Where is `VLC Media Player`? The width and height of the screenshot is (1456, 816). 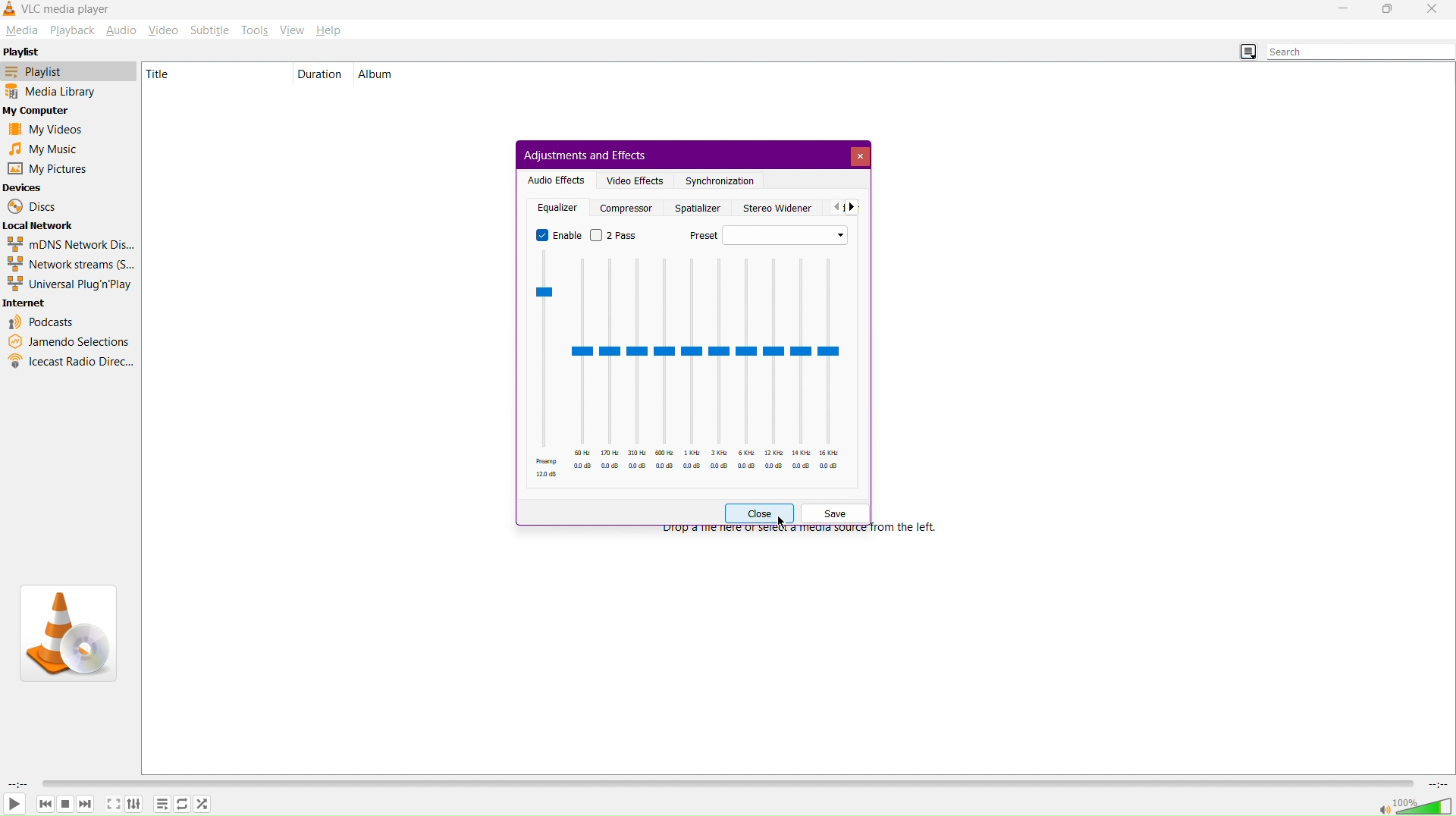
VLC Media Player is located at coordinates (58, 9).